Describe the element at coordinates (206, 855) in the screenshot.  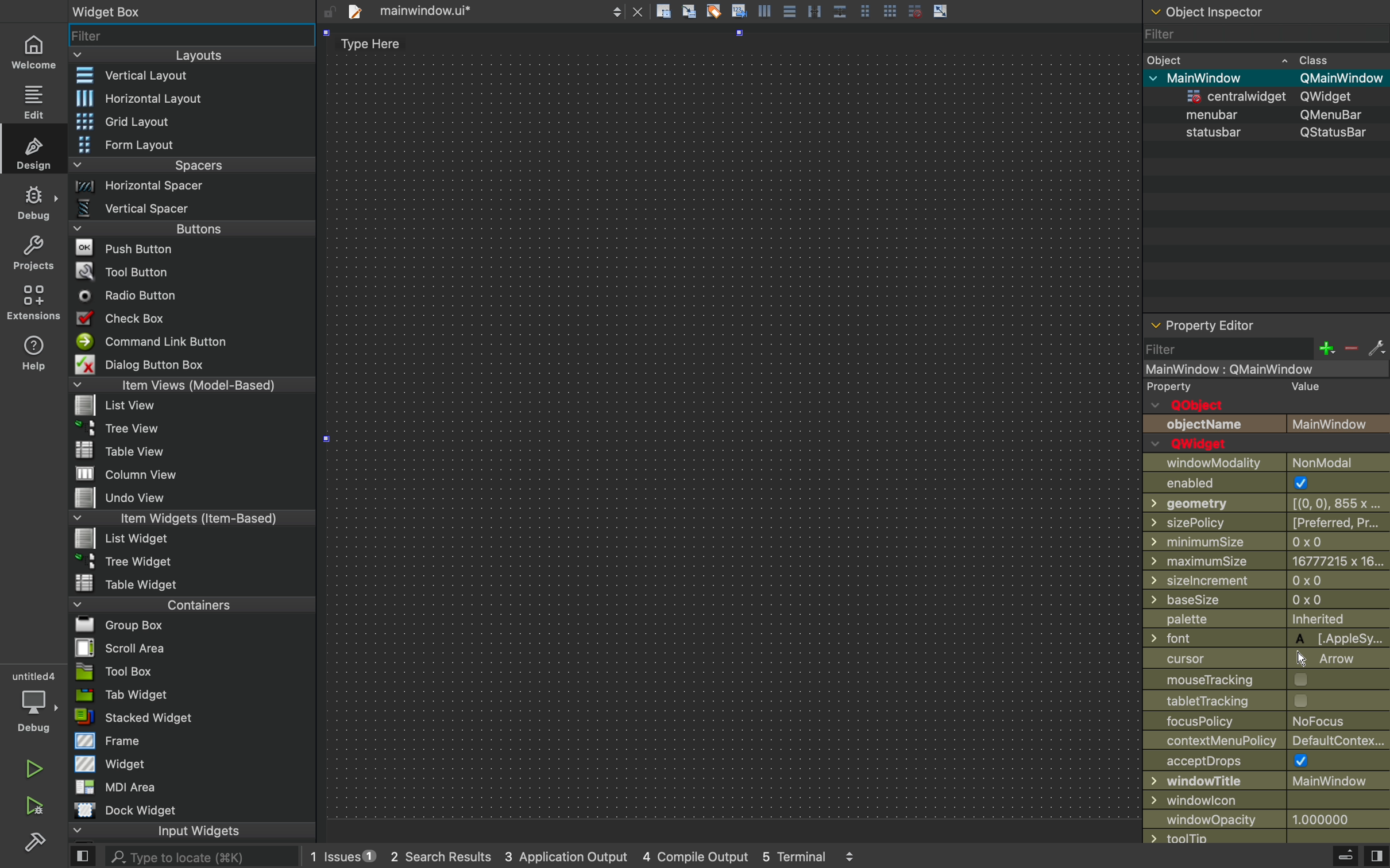
I see `search ` at that location.